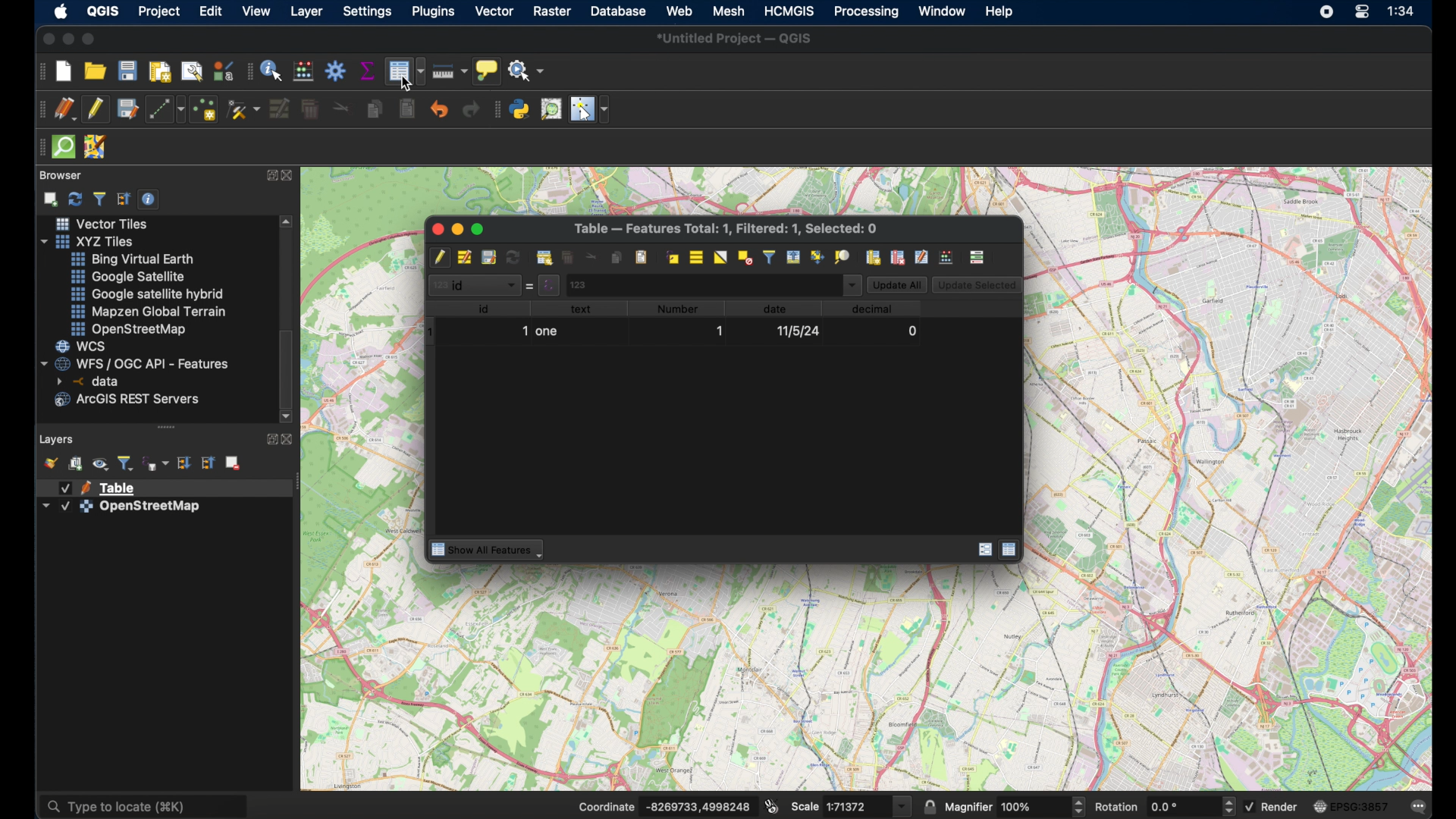 The height and width of the screenshot is (819, 1456). What do you see at coordinates (867, 12) in the screenshot?
I see `processing` at bounding box center [867, 12].